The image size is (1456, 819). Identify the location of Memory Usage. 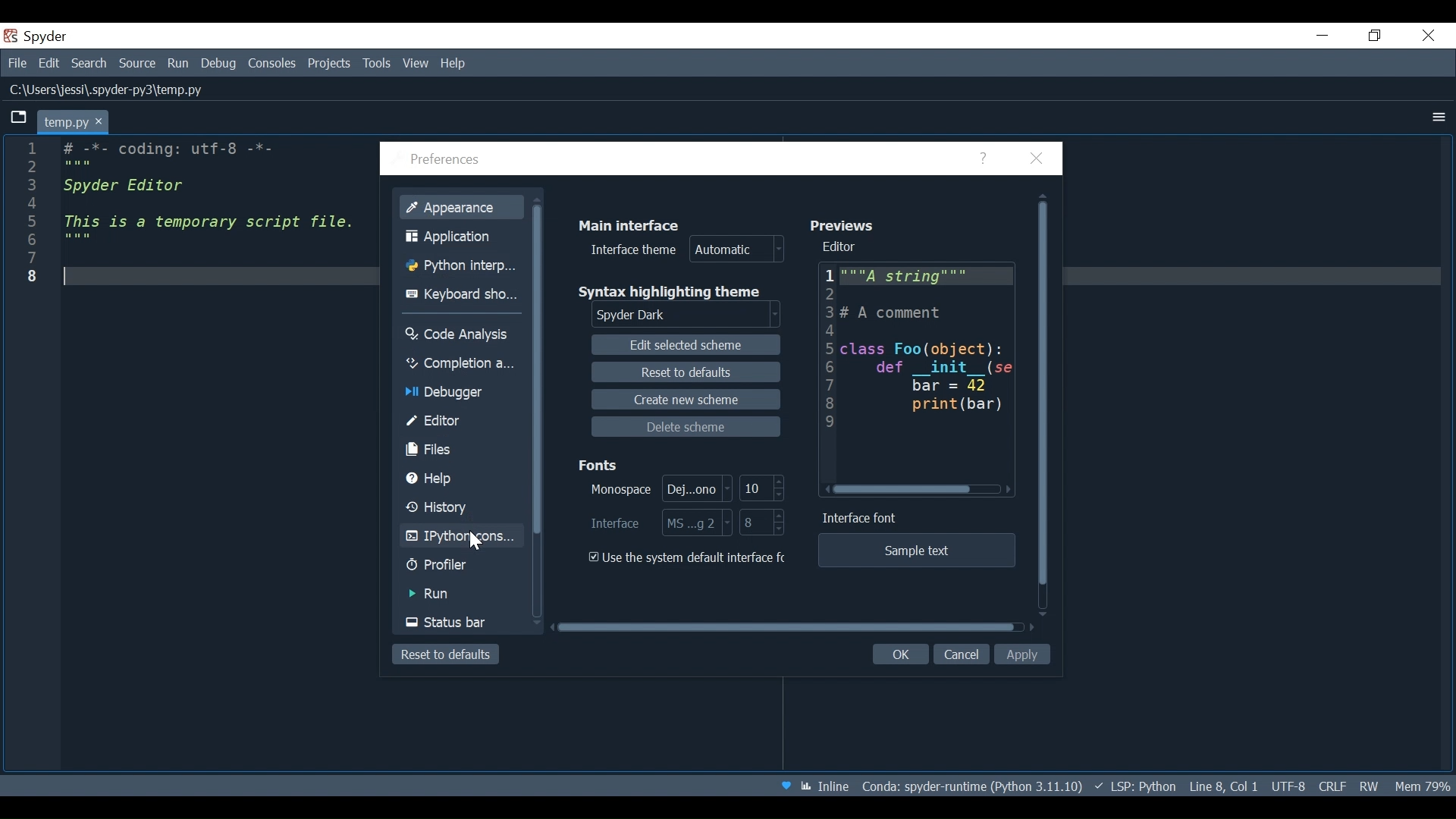
(1421, 786).